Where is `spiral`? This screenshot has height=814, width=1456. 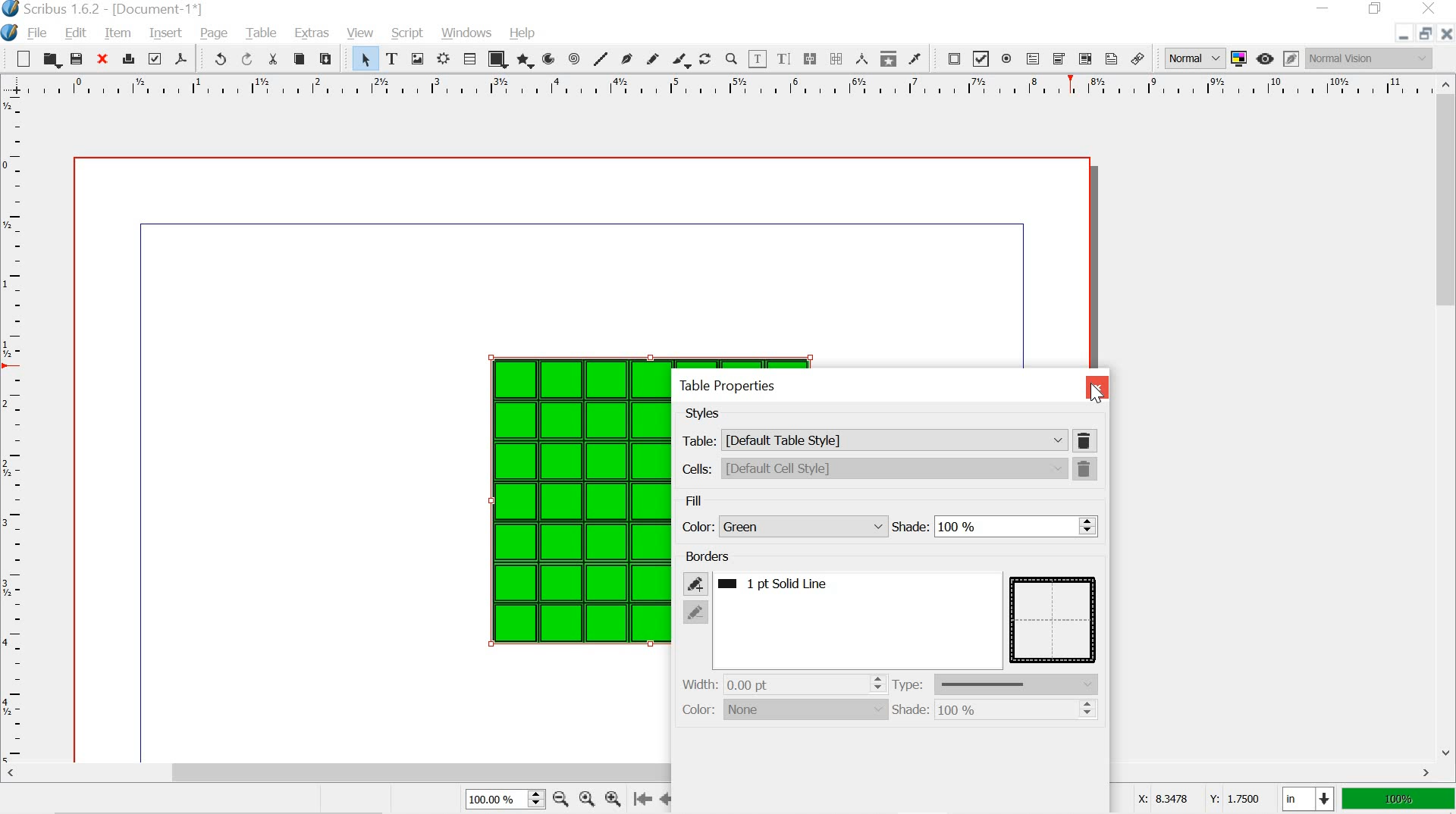
spiral is located at coordinates (573, 58).